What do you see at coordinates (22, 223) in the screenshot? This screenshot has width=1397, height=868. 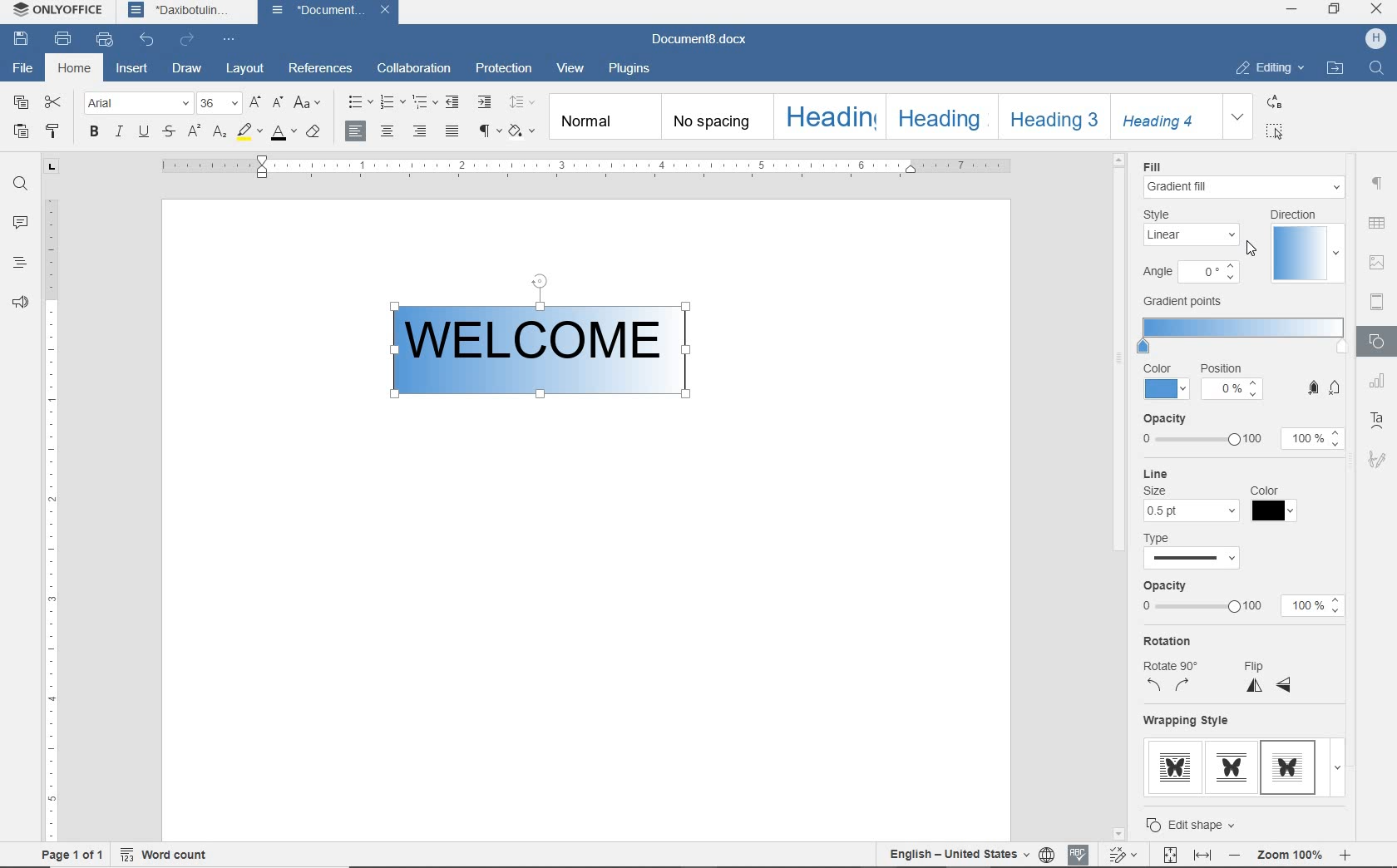 I see `COMMENTS` at bounding box center [22, 223].